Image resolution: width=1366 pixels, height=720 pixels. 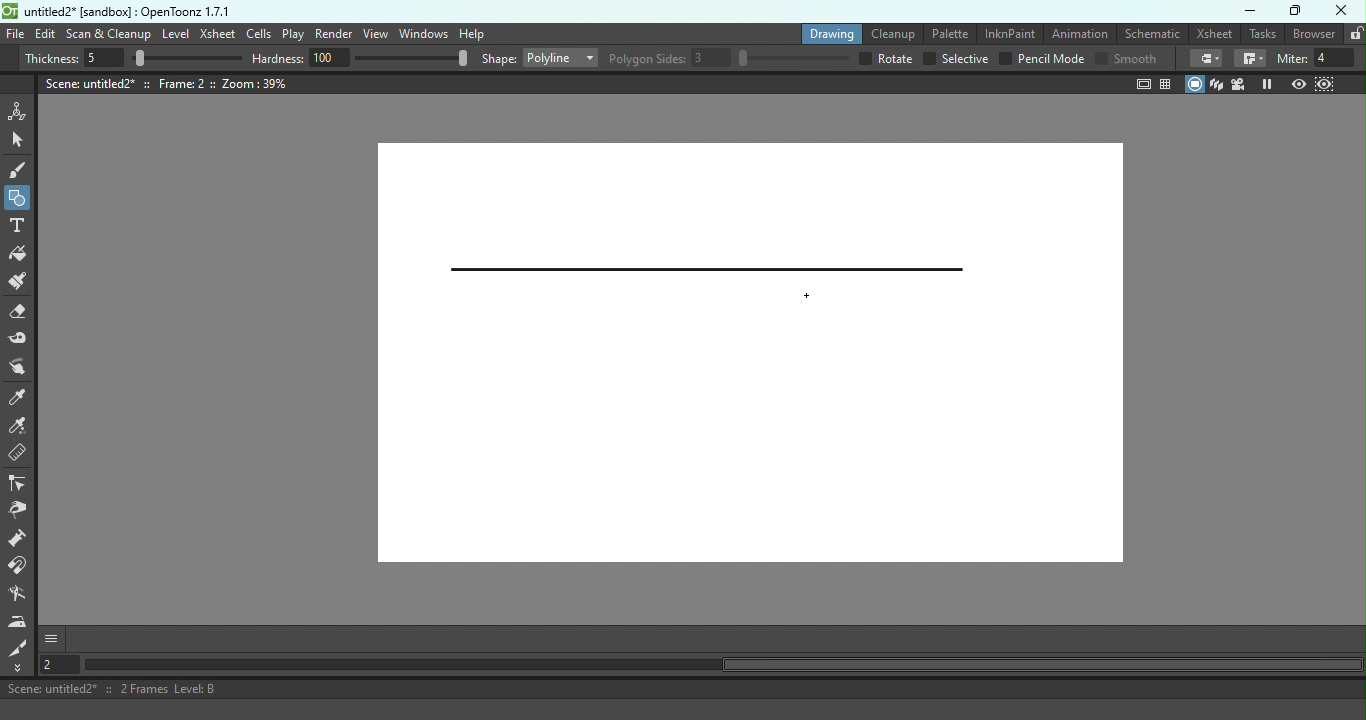 What do you see at coordinates (946, 34) in the screenshot?
I see `Palette` at bounding box center [946, 34].